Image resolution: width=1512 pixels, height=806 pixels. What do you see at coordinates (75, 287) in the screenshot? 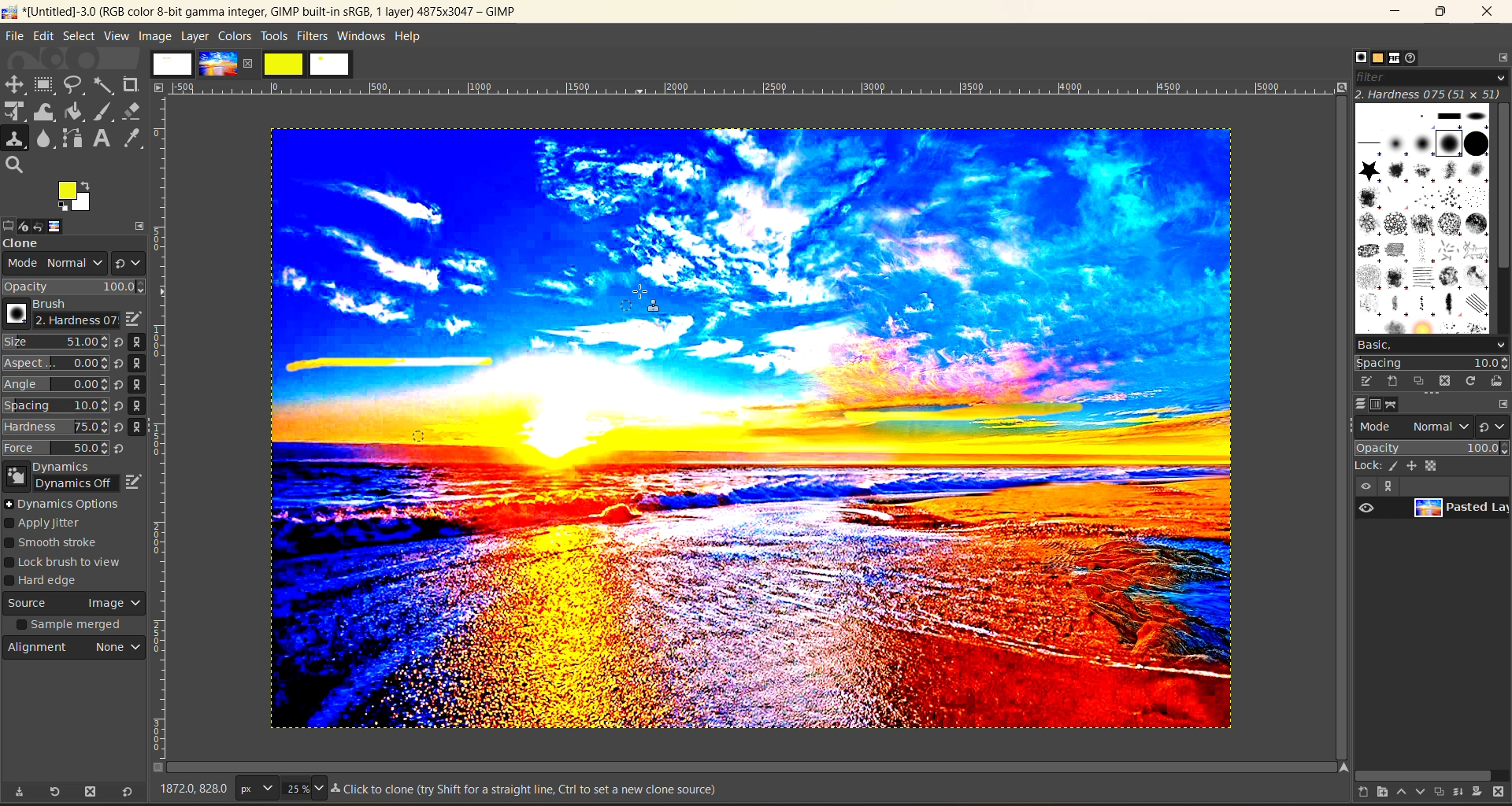
I see `opacity` at bounding box center [75, 287].